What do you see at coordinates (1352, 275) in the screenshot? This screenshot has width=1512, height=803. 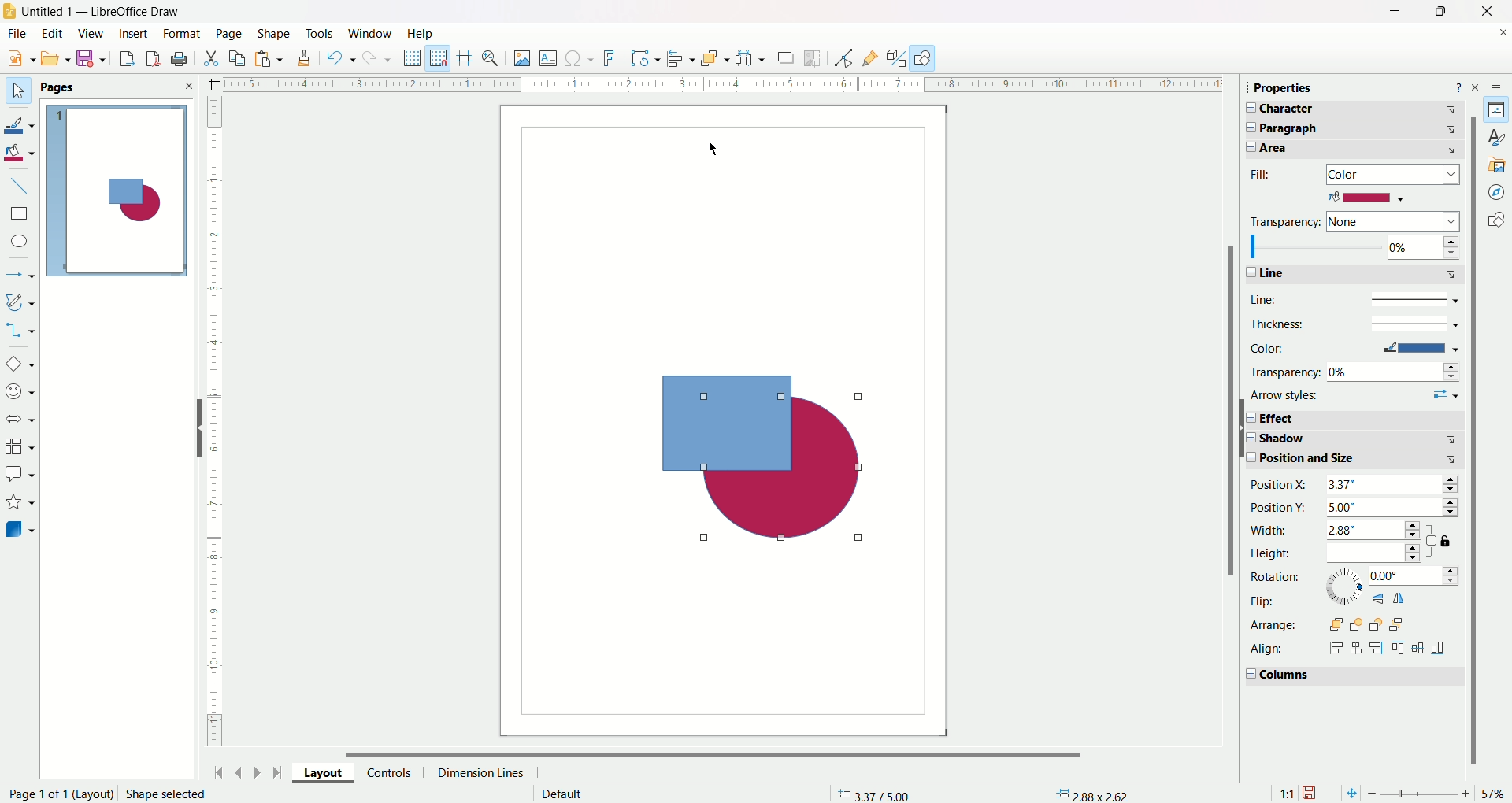 I see `line` at bounding box center [1352, 275].